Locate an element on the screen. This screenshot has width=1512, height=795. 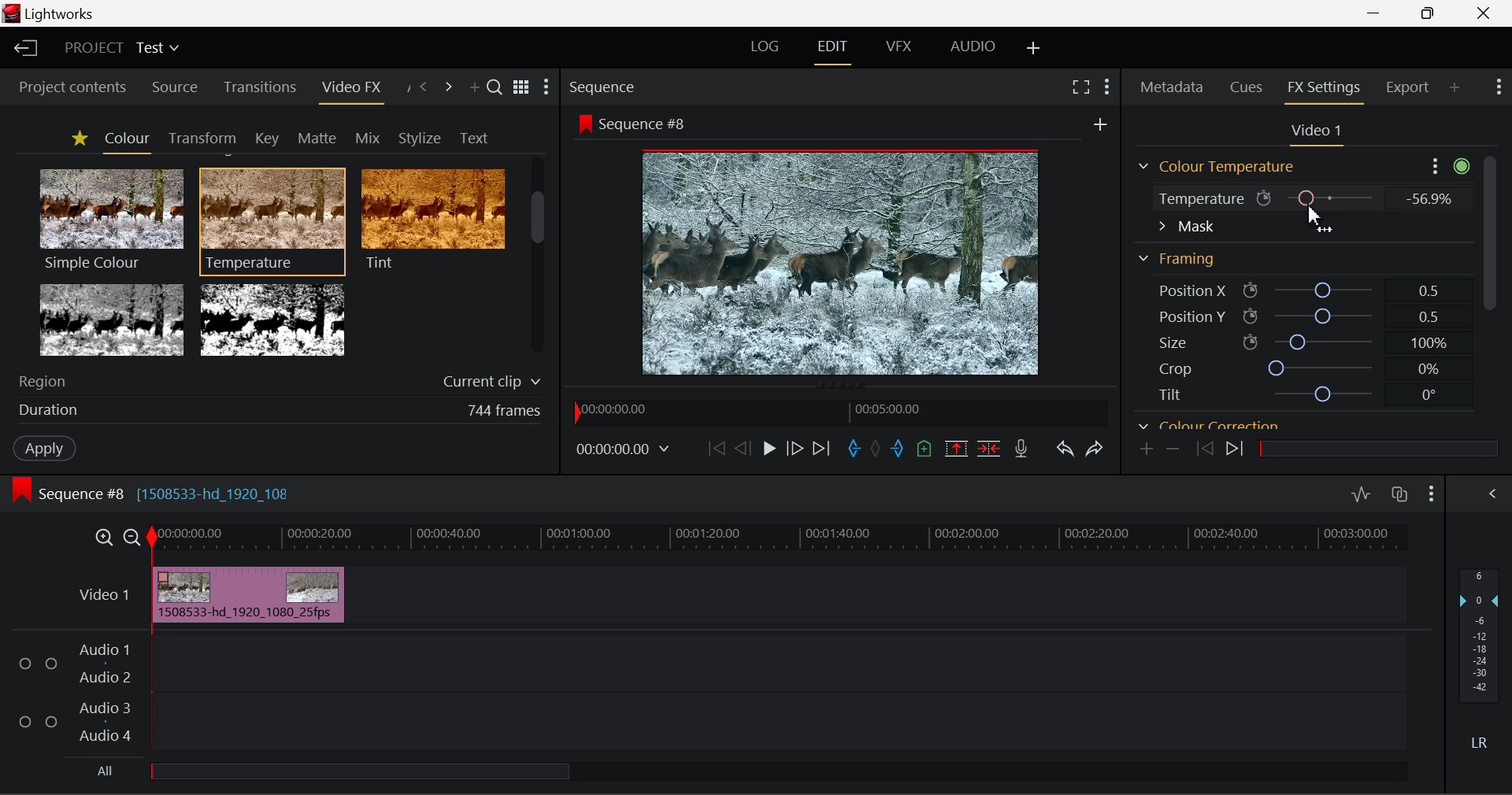
duration is located at coordinates (44, 411).